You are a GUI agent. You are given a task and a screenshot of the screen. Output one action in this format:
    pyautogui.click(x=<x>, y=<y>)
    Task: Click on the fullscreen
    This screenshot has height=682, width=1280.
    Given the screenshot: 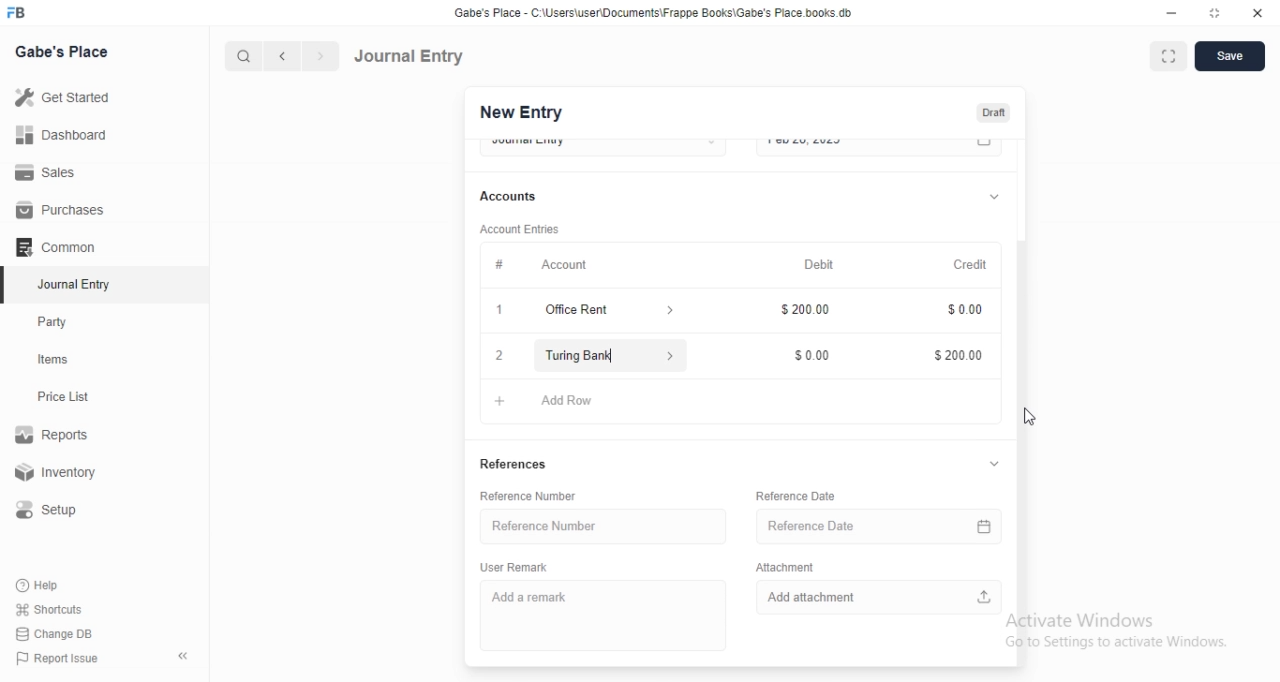 What is the action you would take?
    pyautogui.click(x=1166, y=57)
    